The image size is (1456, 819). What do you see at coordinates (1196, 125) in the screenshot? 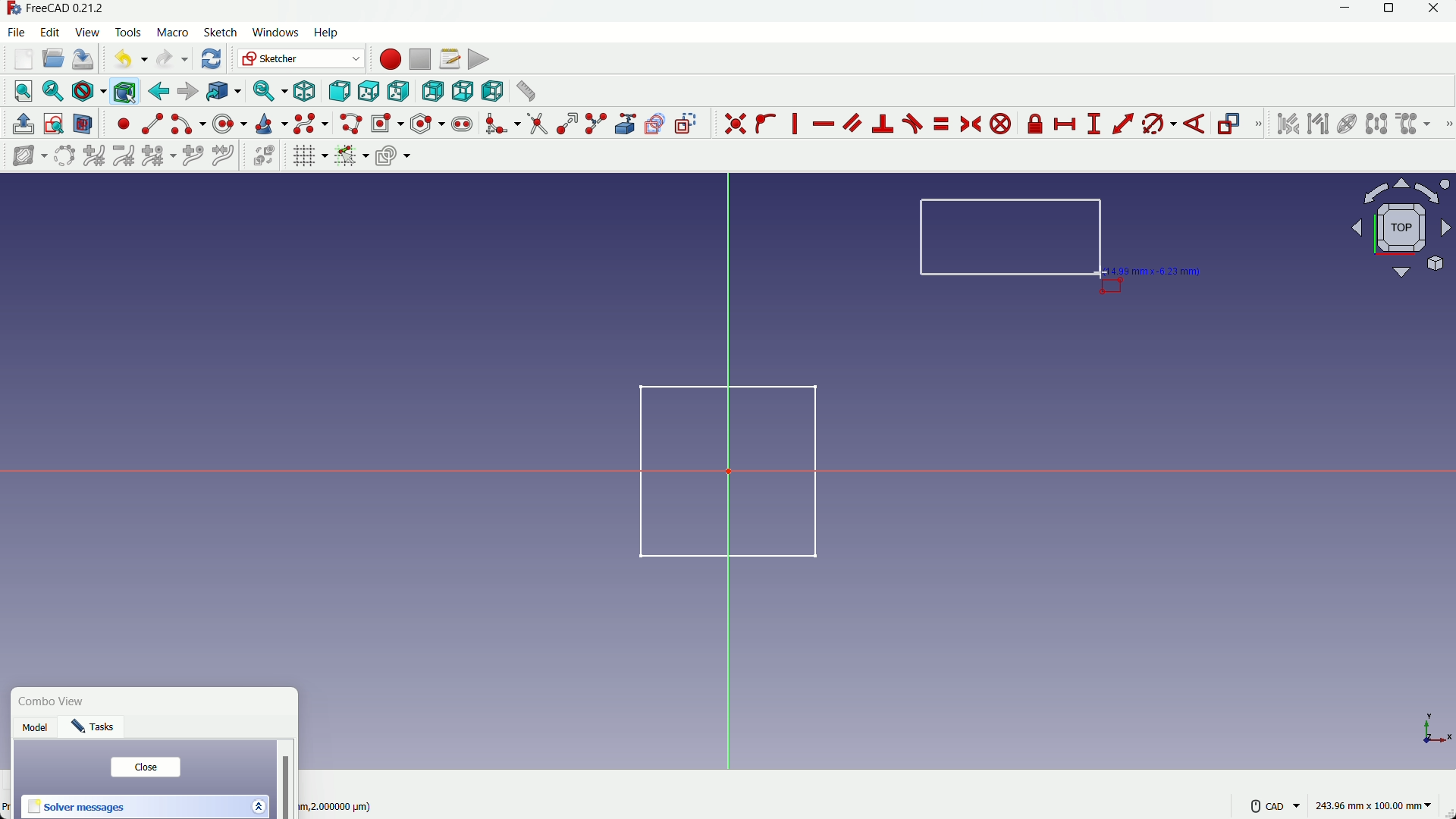
I see `constraint angle` at bounding box center [1196, 125].